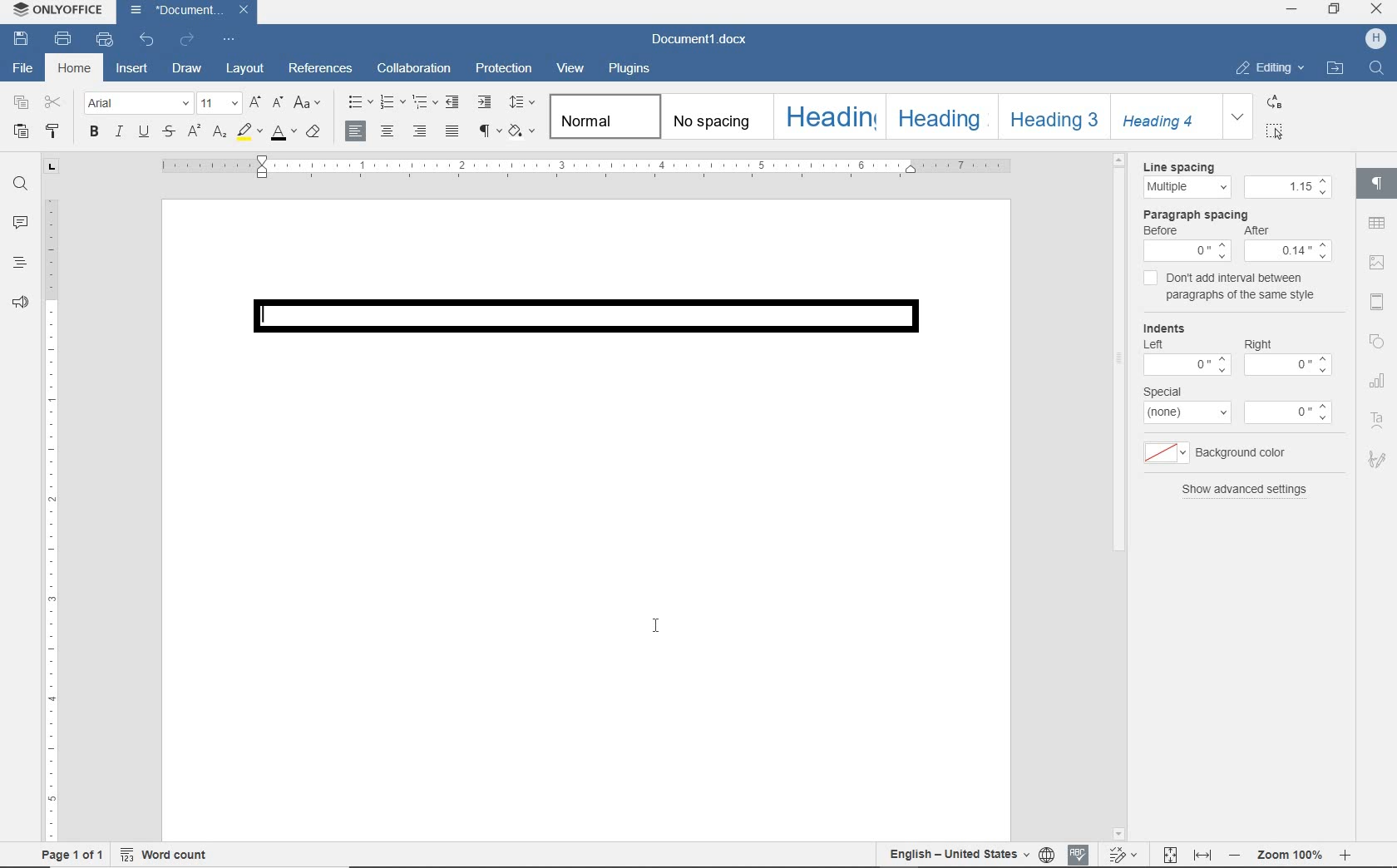 The width and height of the screenshot is (1397, 868). Describe the element at coordinates (593, 326) in the screenshot. I see `border added` at that location.